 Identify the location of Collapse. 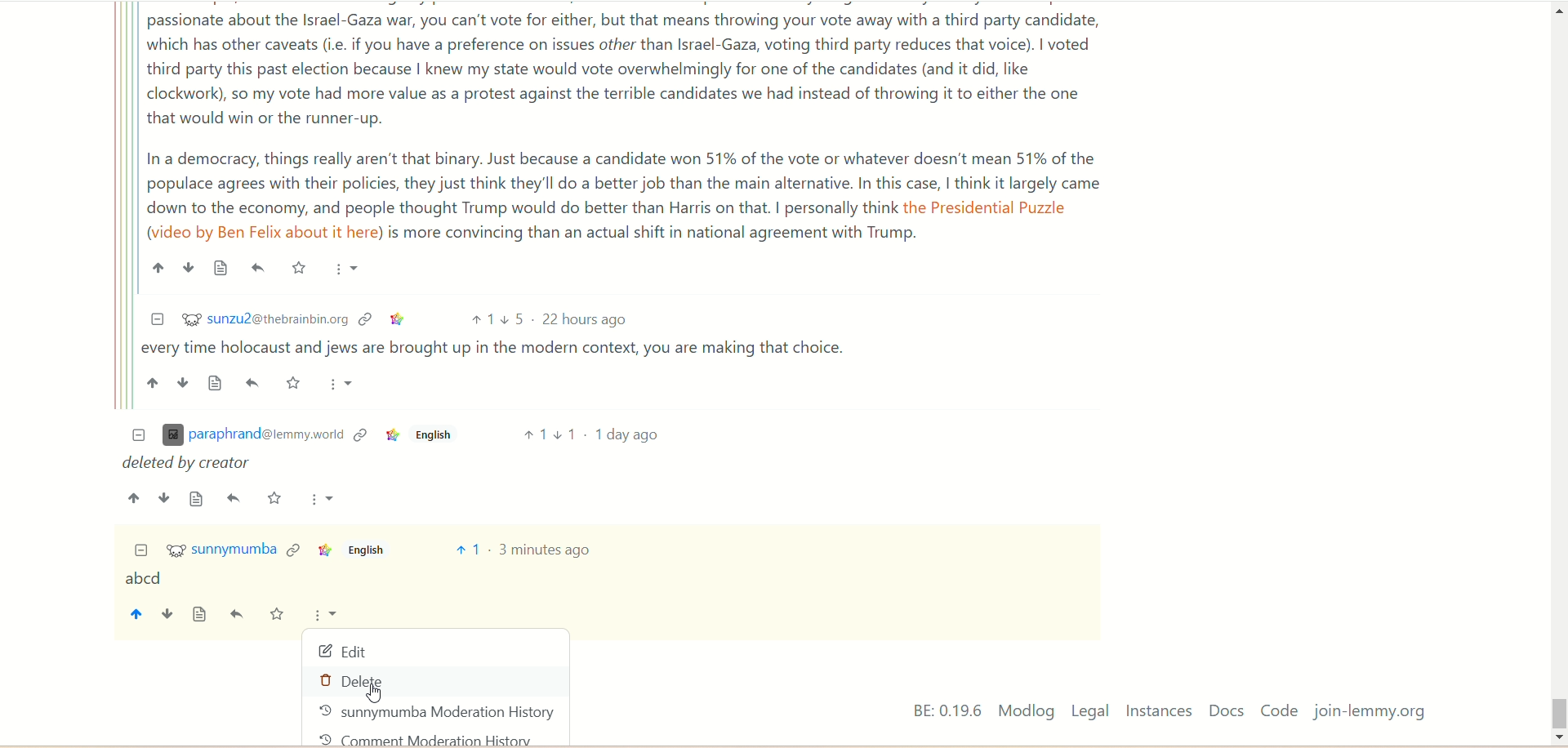
(157, 319).